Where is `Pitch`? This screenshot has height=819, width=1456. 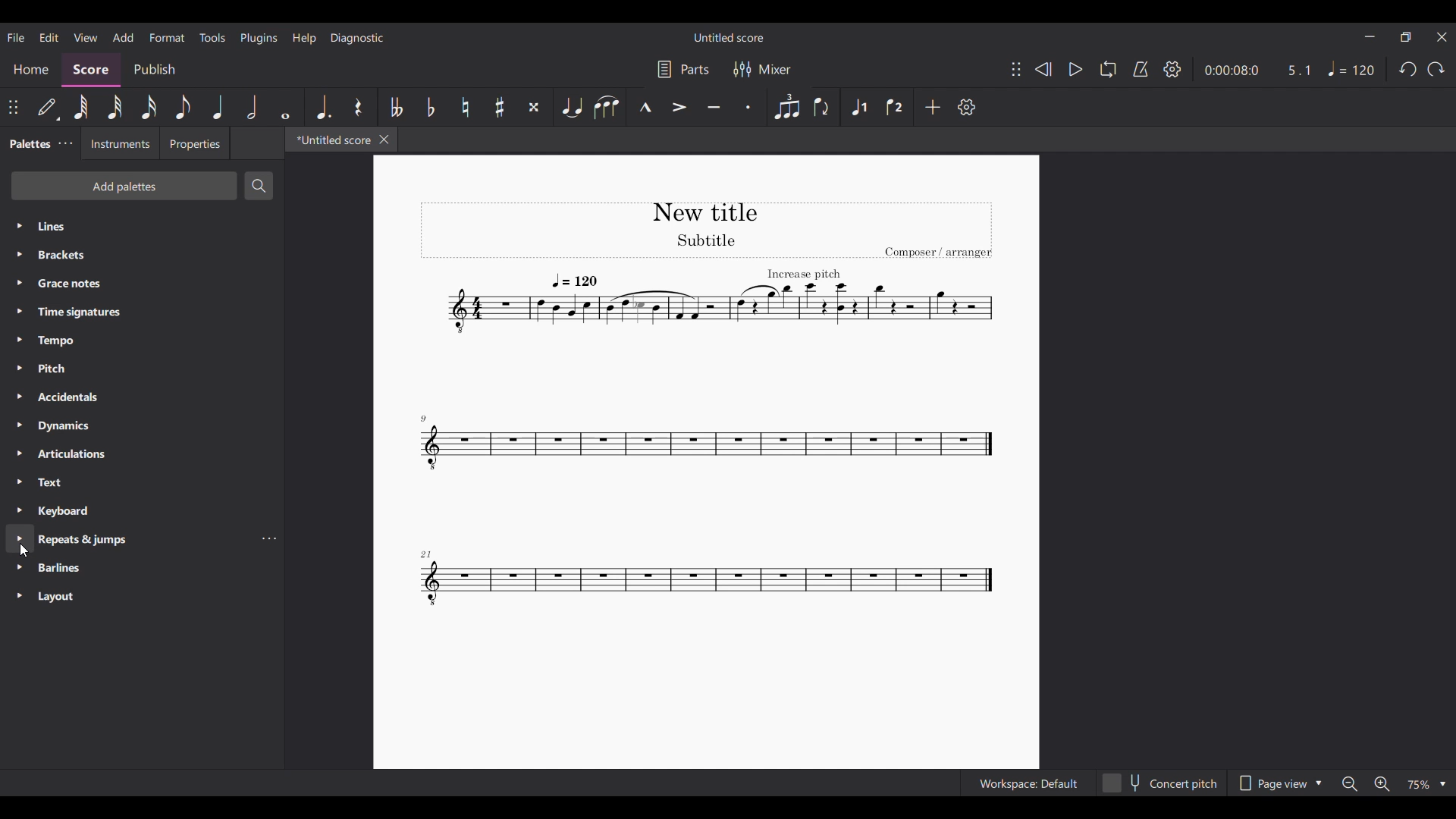 Pitch is located at coordinates (143, 369).